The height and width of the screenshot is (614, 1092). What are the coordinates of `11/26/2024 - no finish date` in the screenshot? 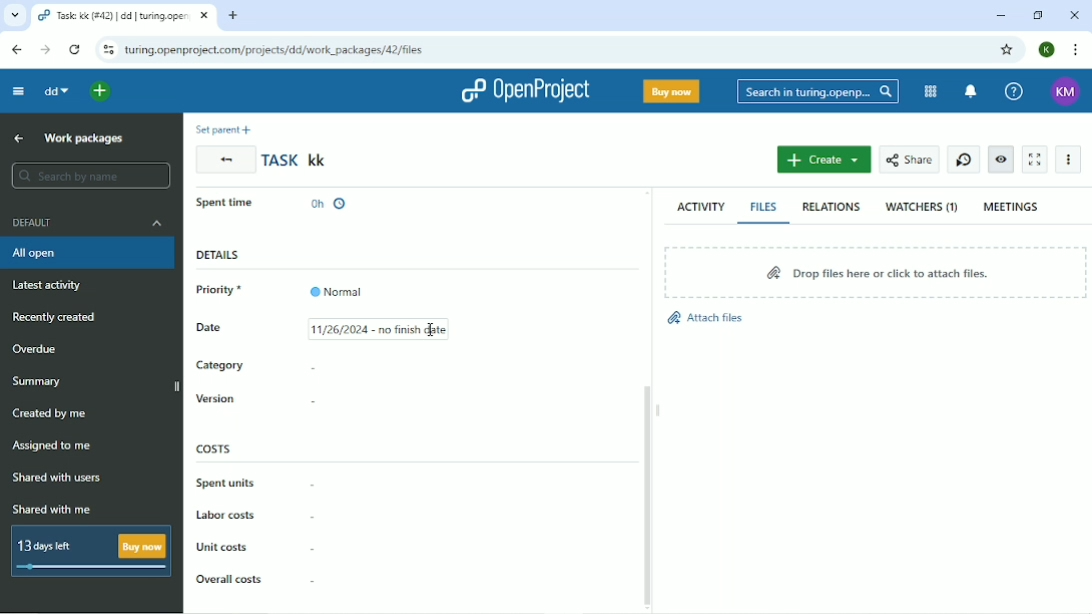 It's located at (388, 329).